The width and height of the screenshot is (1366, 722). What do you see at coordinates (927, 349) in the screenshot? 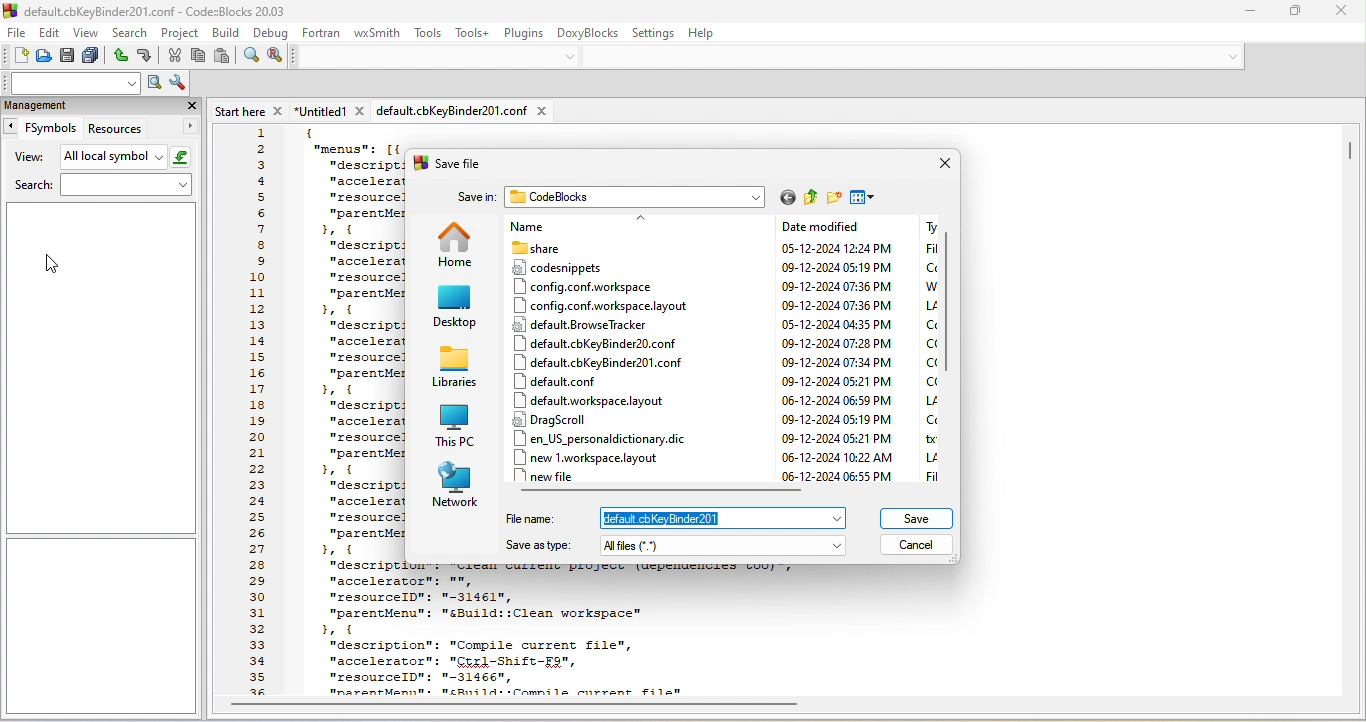
I see `type` at bounding box center [927, 349].